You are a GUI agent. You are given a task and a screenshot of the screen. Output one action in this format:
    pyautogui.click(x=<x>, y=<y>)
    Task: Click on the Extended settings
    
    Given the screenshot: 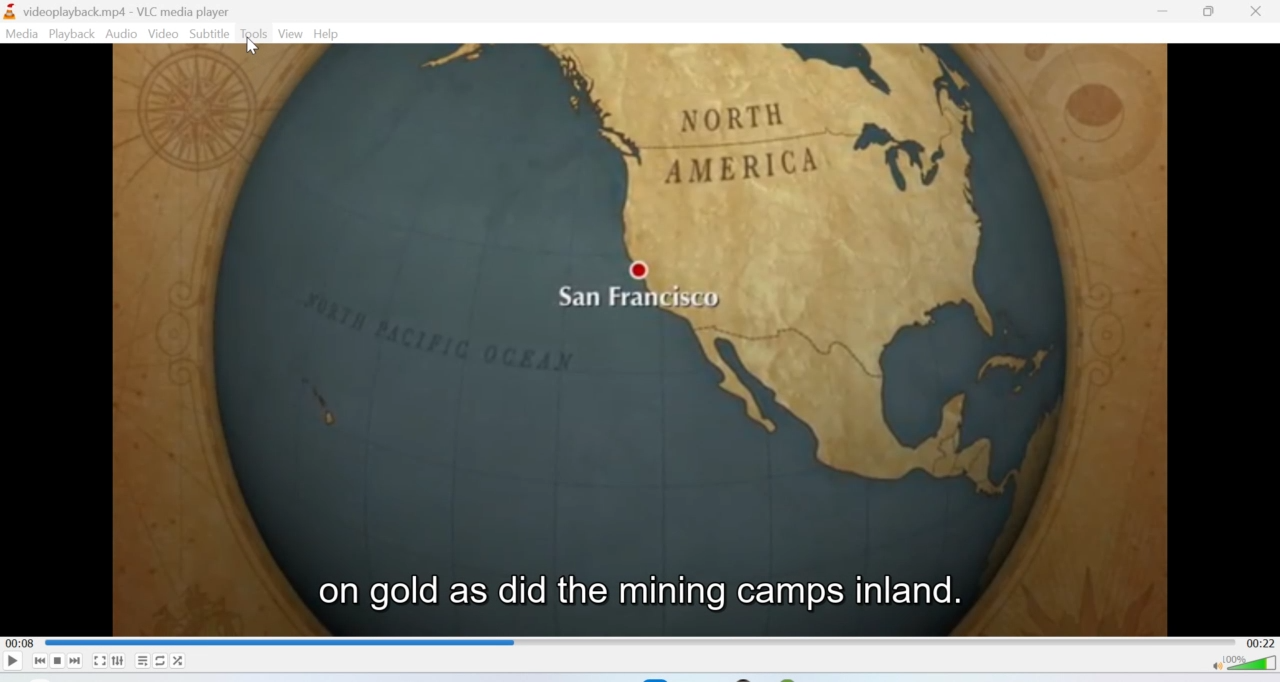 What is the action you would take?
    pyautogui.click(x=118, y=661)
    